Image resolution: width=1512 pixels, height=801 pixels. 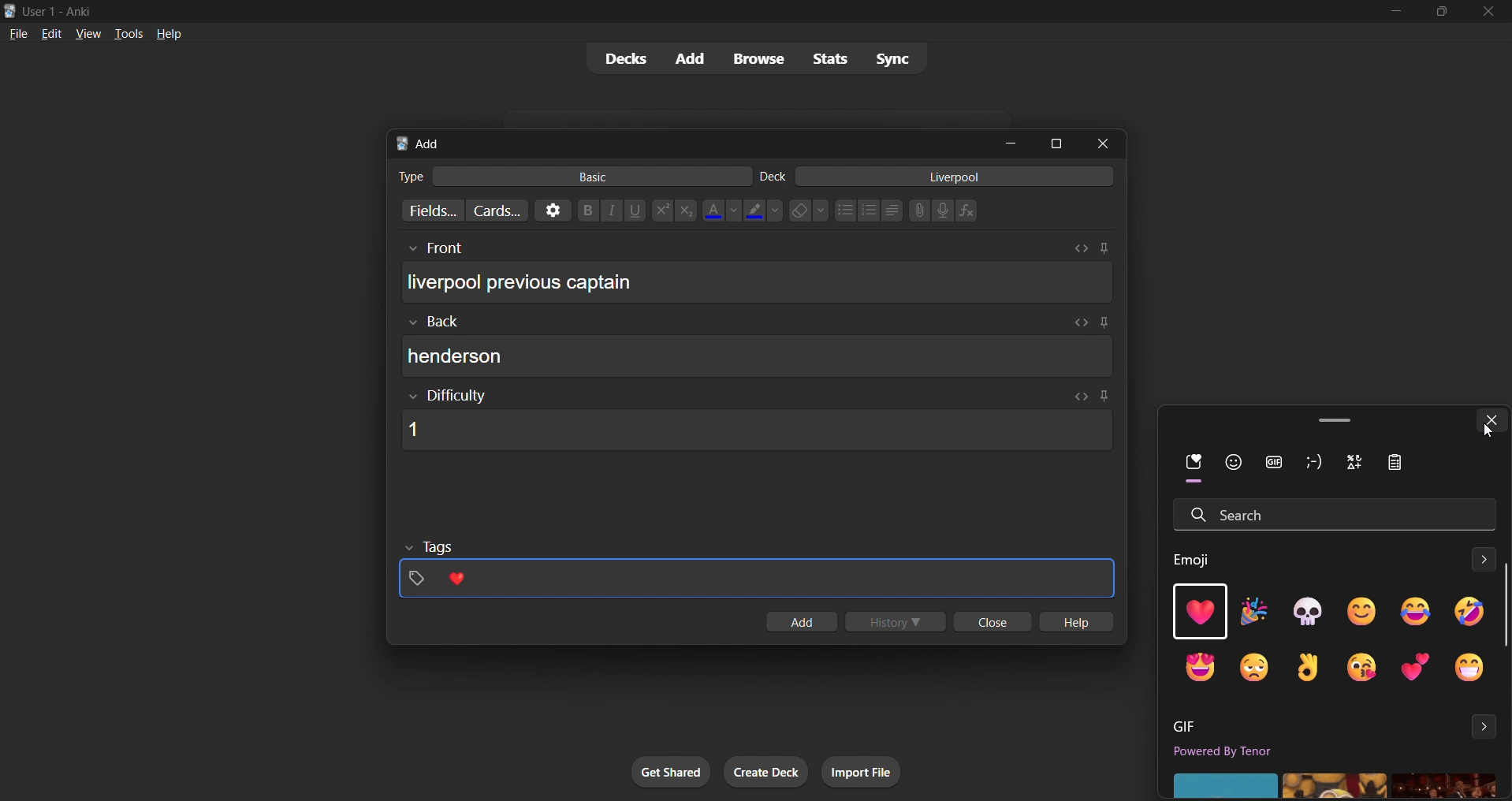 What do you see at coordinates (1277, 463) in the screenshot?
I see `gif filter` at bounding box center [1277, 463].